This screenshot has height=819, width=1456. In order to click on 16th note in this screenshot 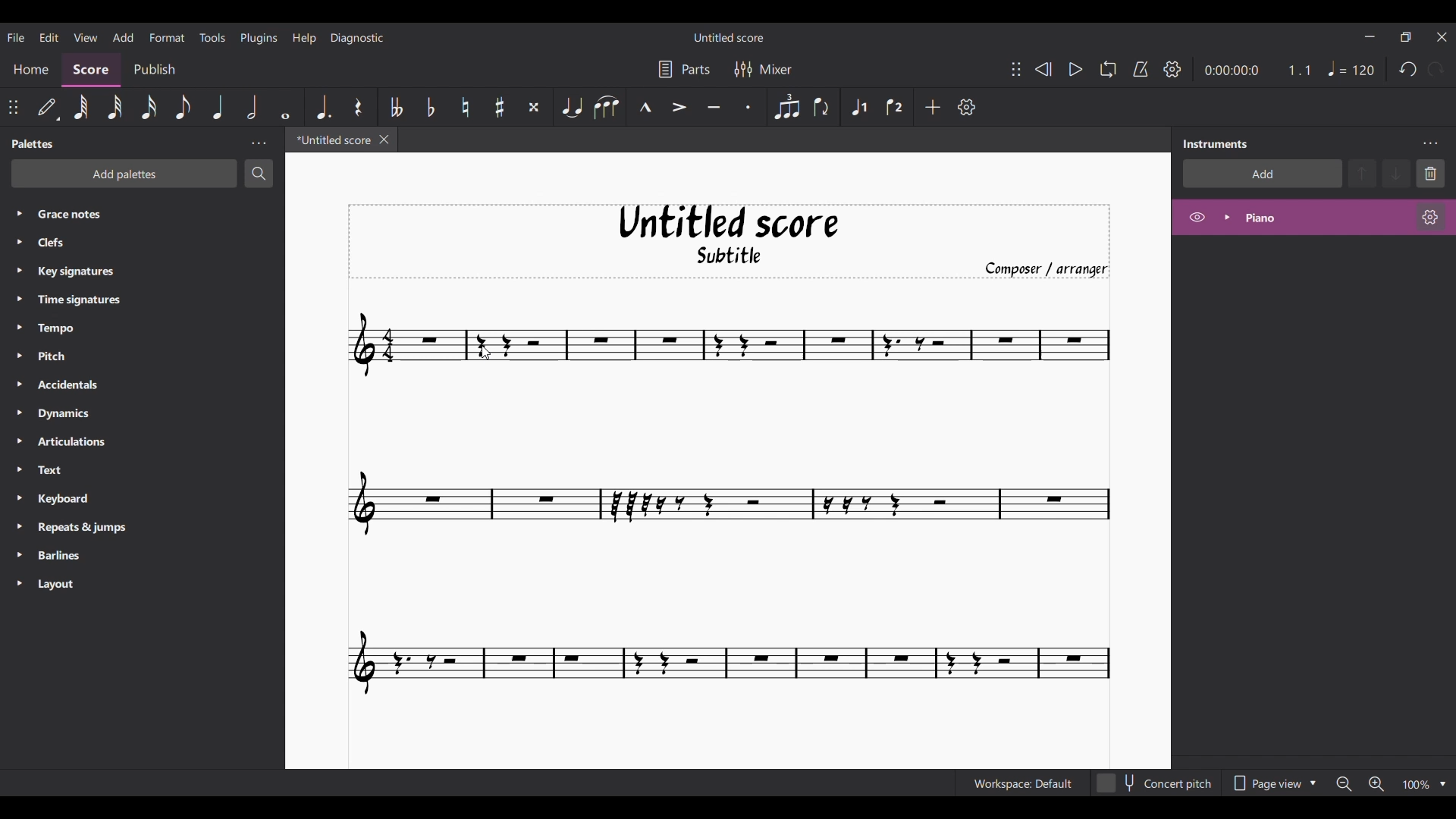, I will do `click(149, 107)`.